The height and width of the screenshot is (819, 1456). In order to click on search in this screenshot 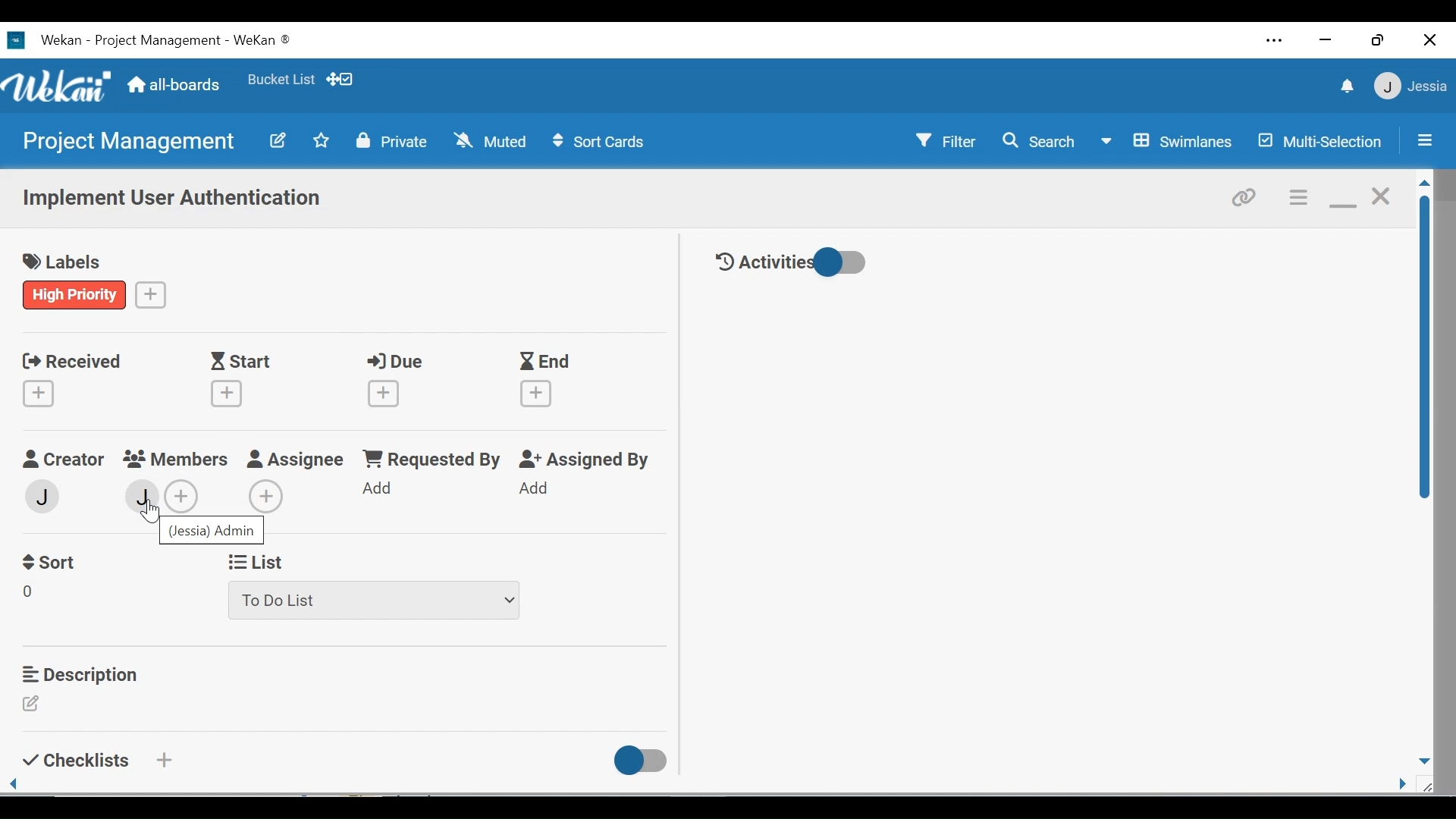, I will do `click(1038, 142)`.